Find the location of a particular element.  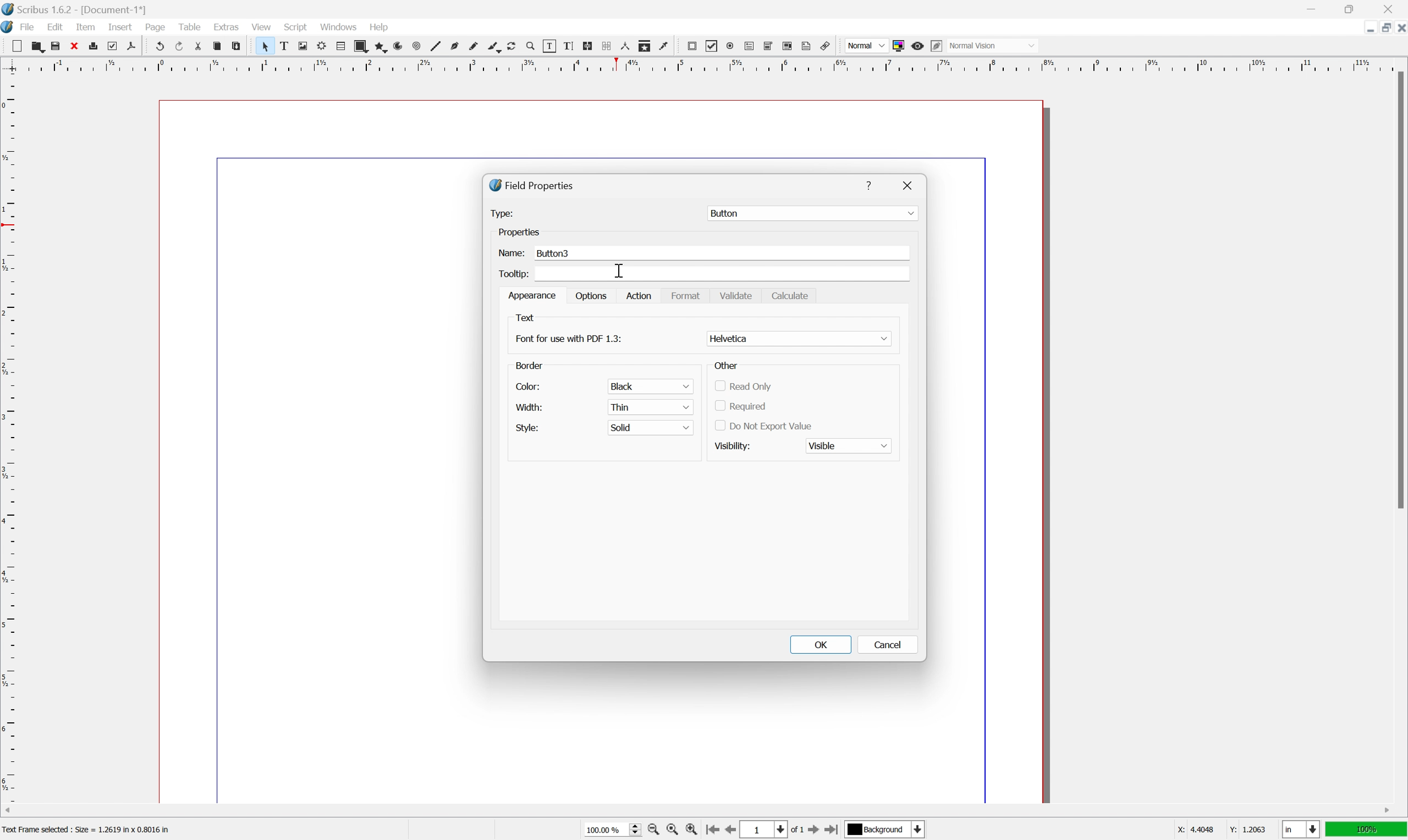

width: is located at coordinates (528, 406).